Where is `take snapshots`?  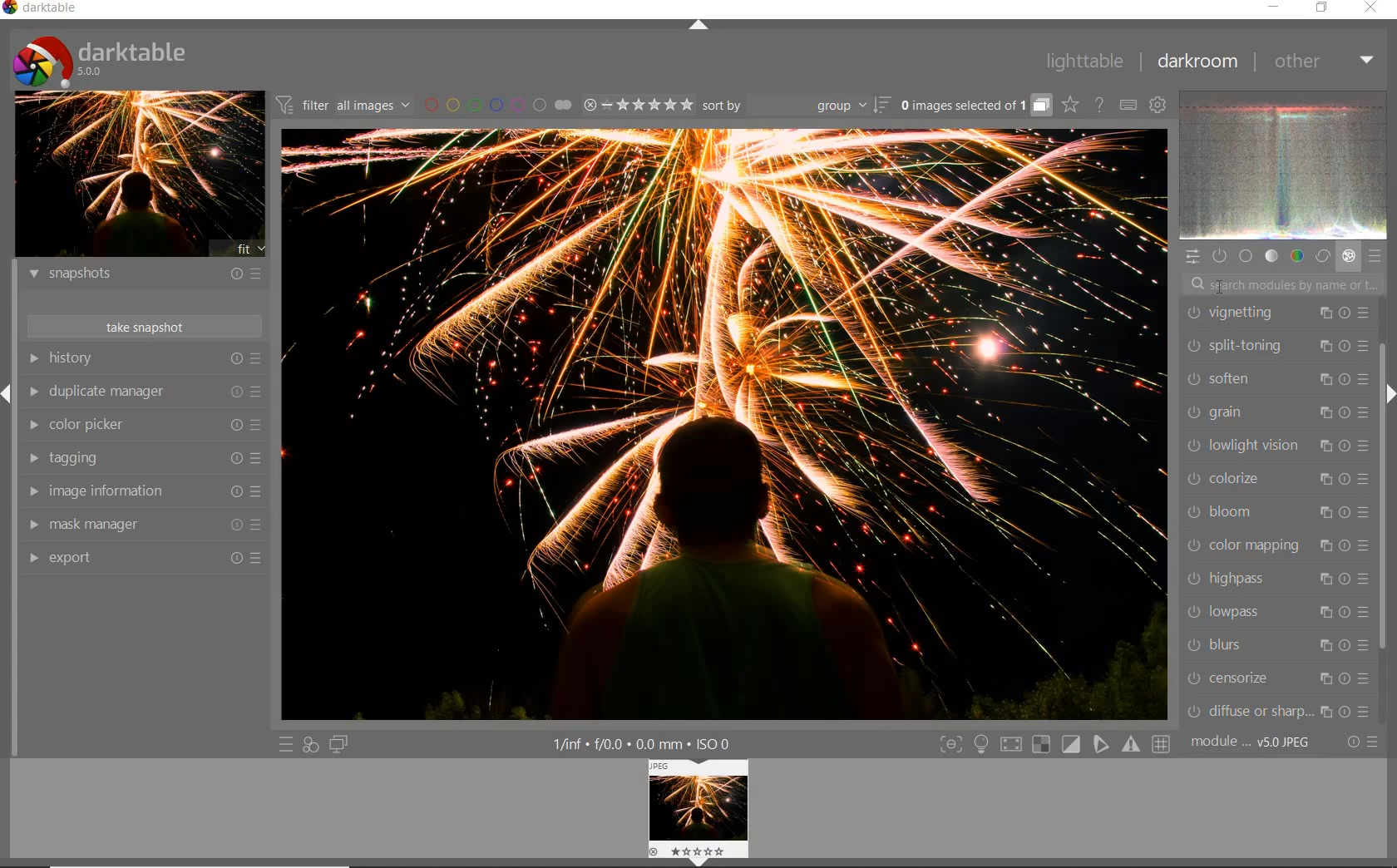
take snapshots is located at coordinates (144, 328).